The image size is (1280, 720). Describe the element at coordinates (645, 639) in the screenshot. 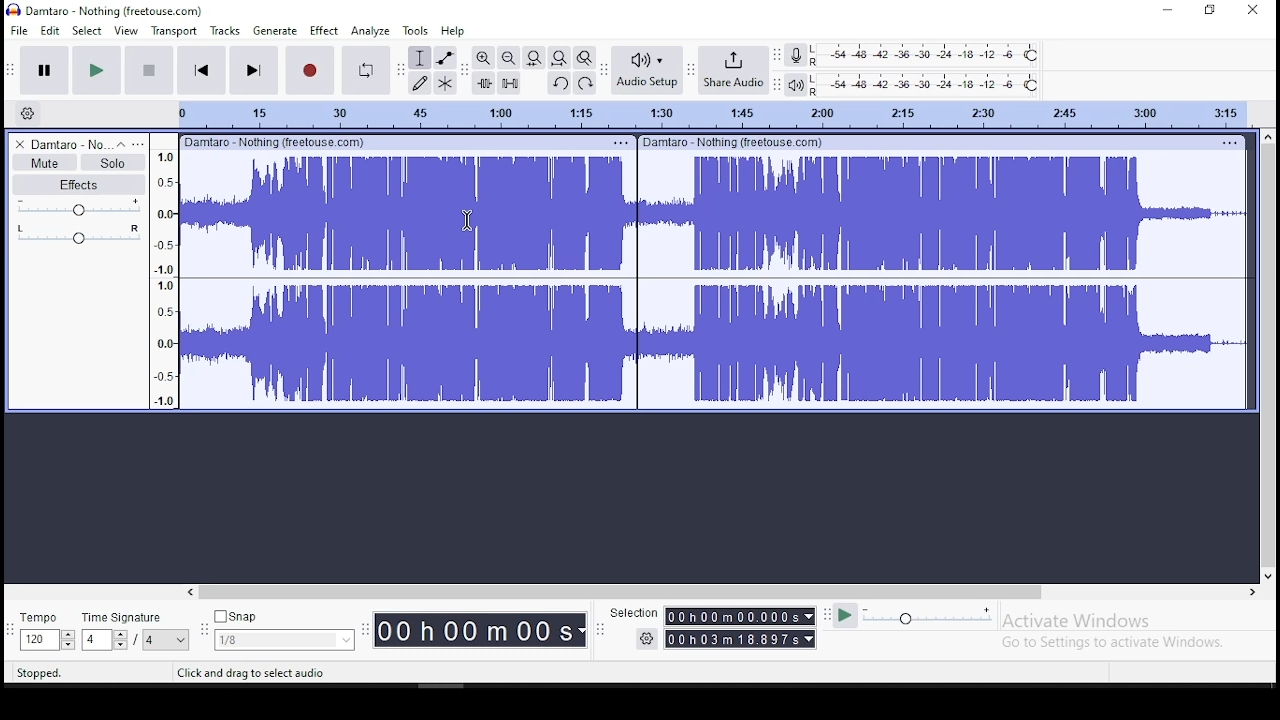

I see `settings` at that location.